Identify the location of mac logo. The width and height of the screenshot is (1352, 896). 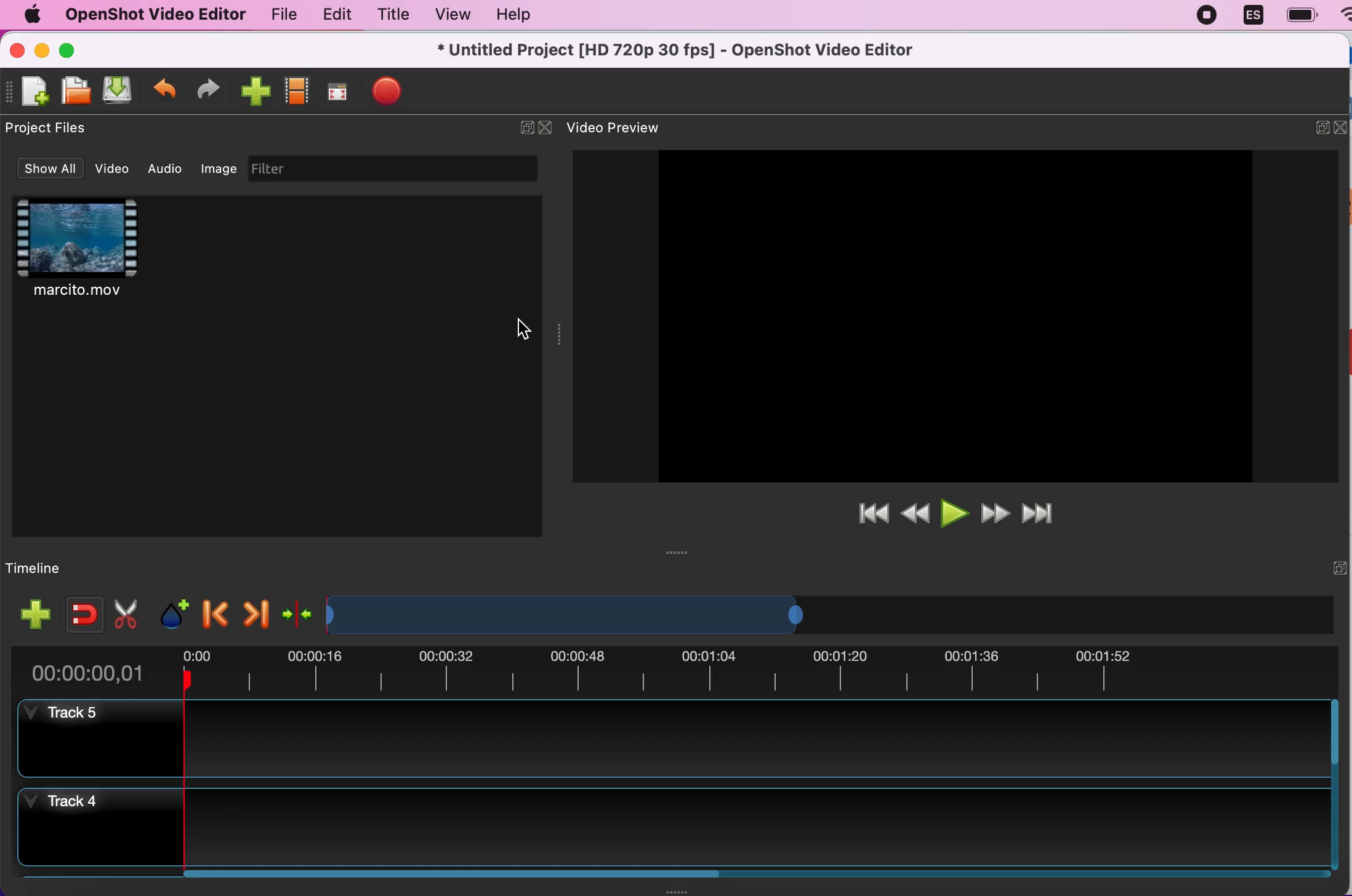
(28, 17).